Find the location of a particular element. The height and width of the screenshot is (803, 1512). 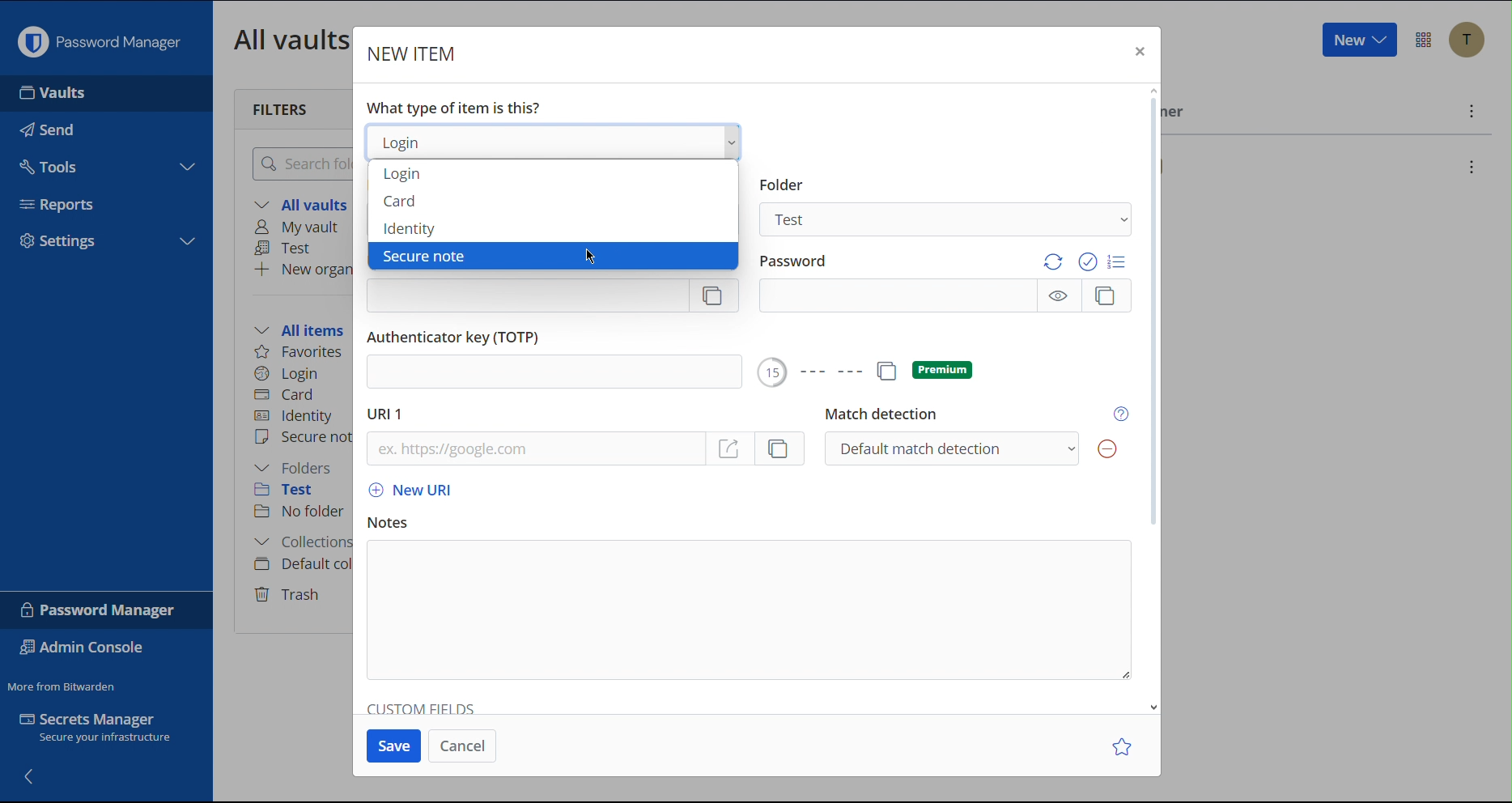

Filters is located at coordinates (282, 108).